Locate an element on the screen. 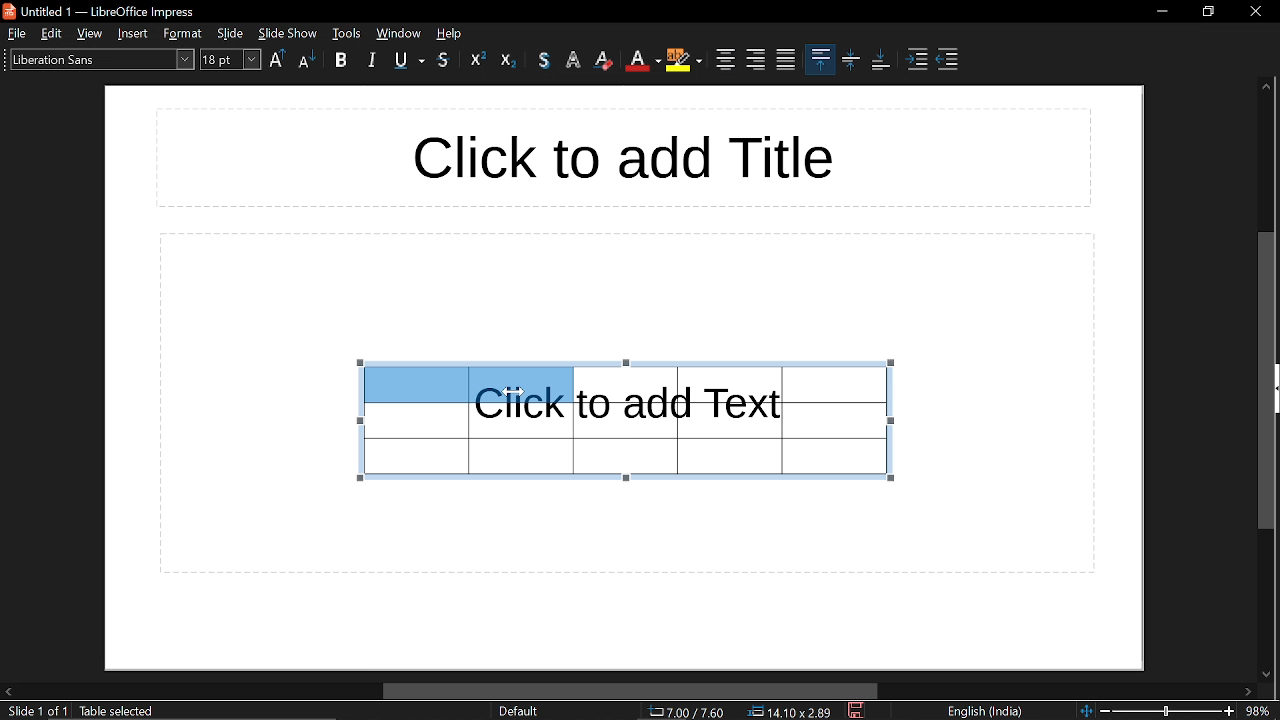 This screenshot has width=1280, height=720. center is located at coordinates (723, 60).